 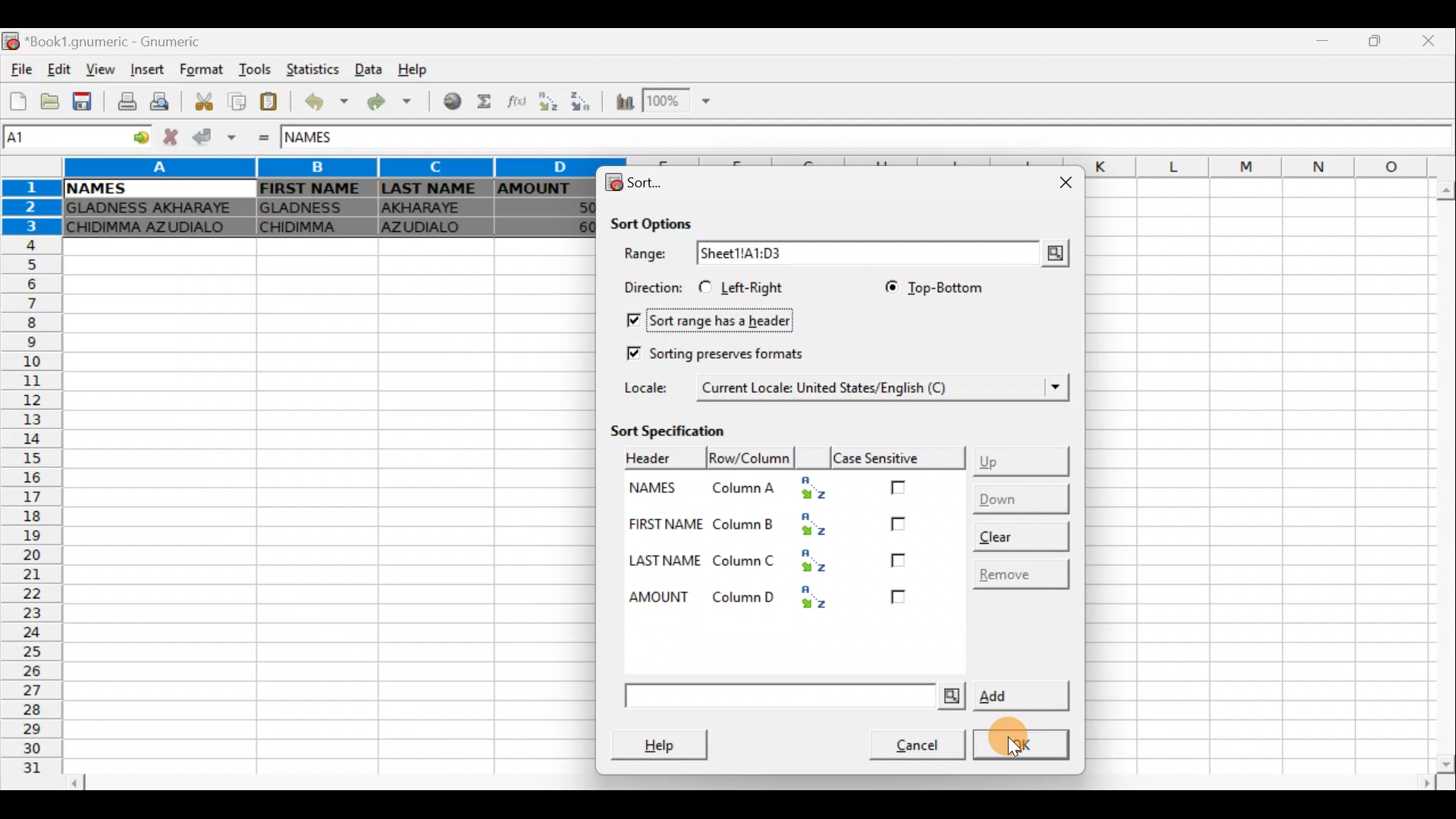 What do you see at coordinates (434, 210) in the screenshot?
I see `AKHARAYE` at bounding box center [434, 210].